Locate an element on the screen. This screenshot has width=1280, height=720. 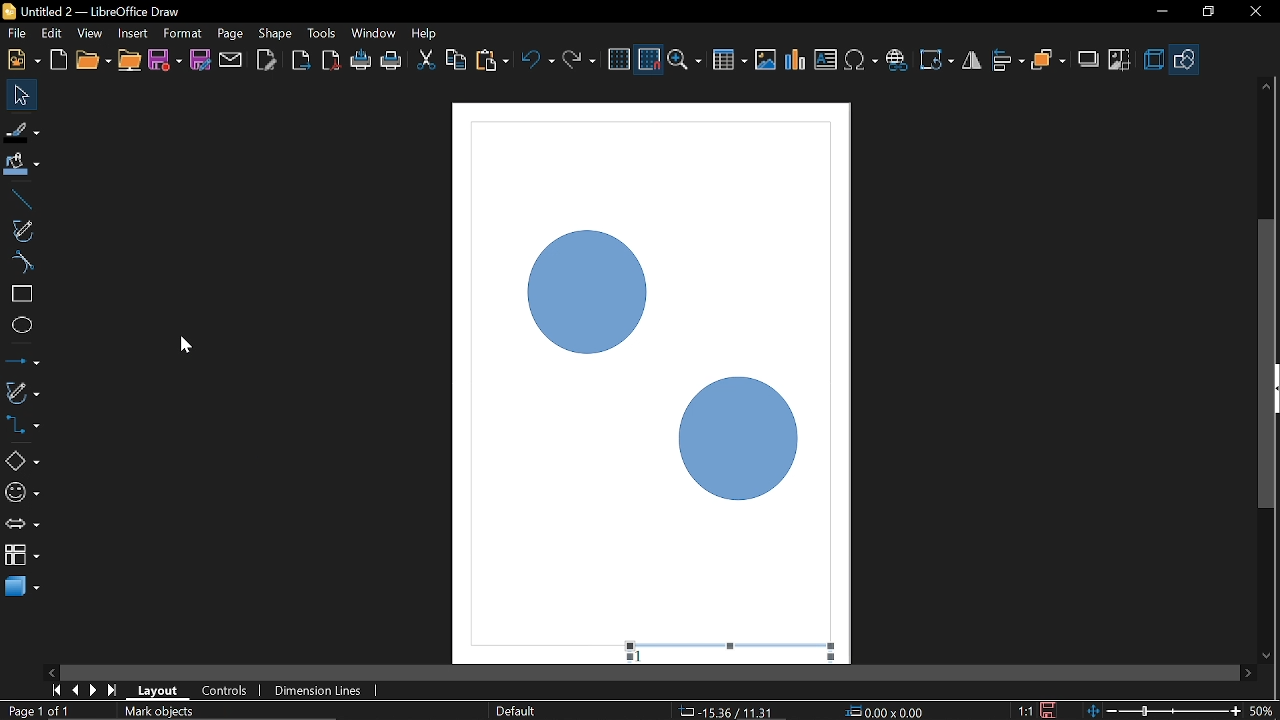
Move left is located at coordinates (50, 669).